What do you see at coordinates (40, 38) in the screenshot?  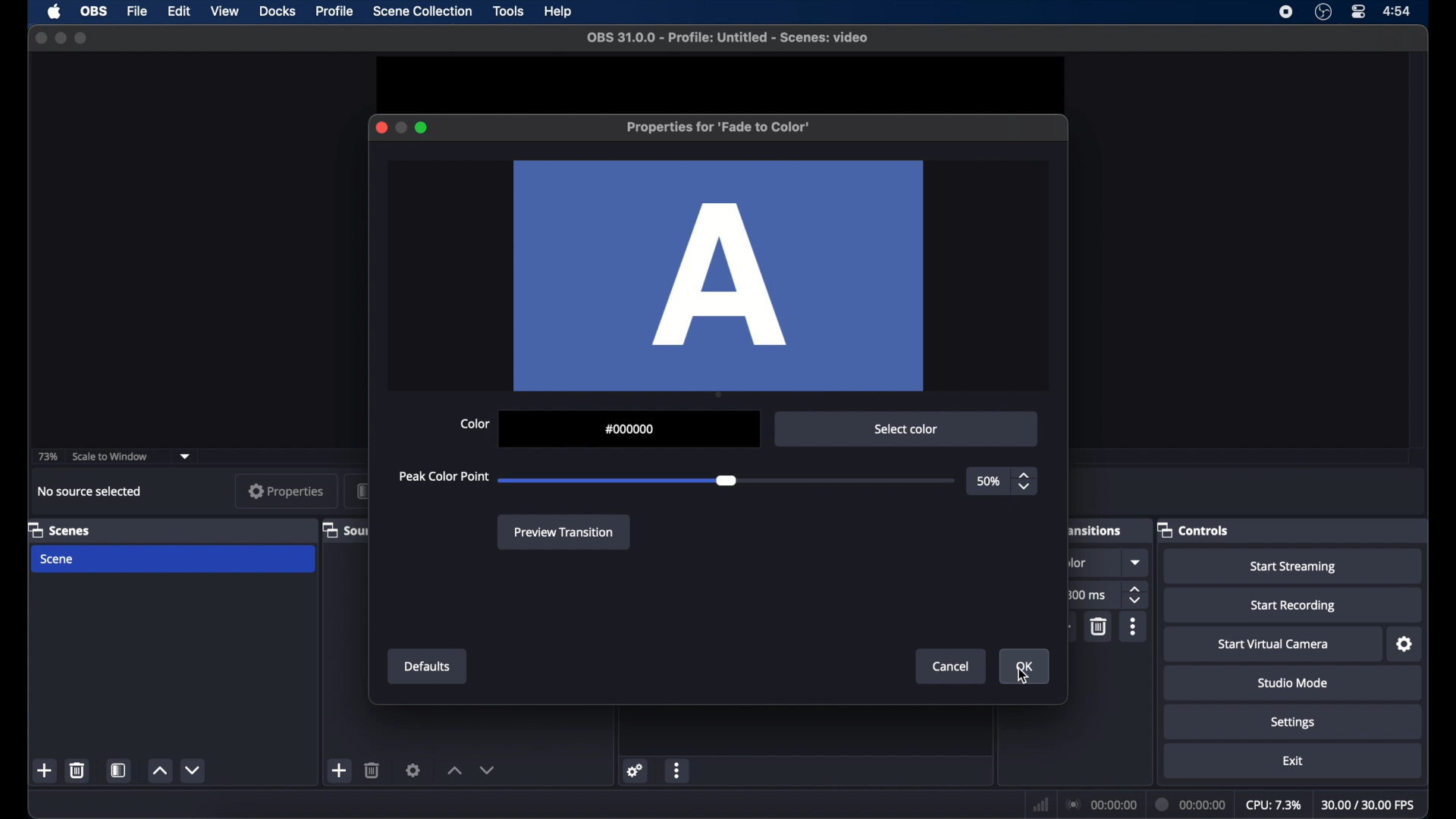 I see `close` at bounding box center [40, 38].